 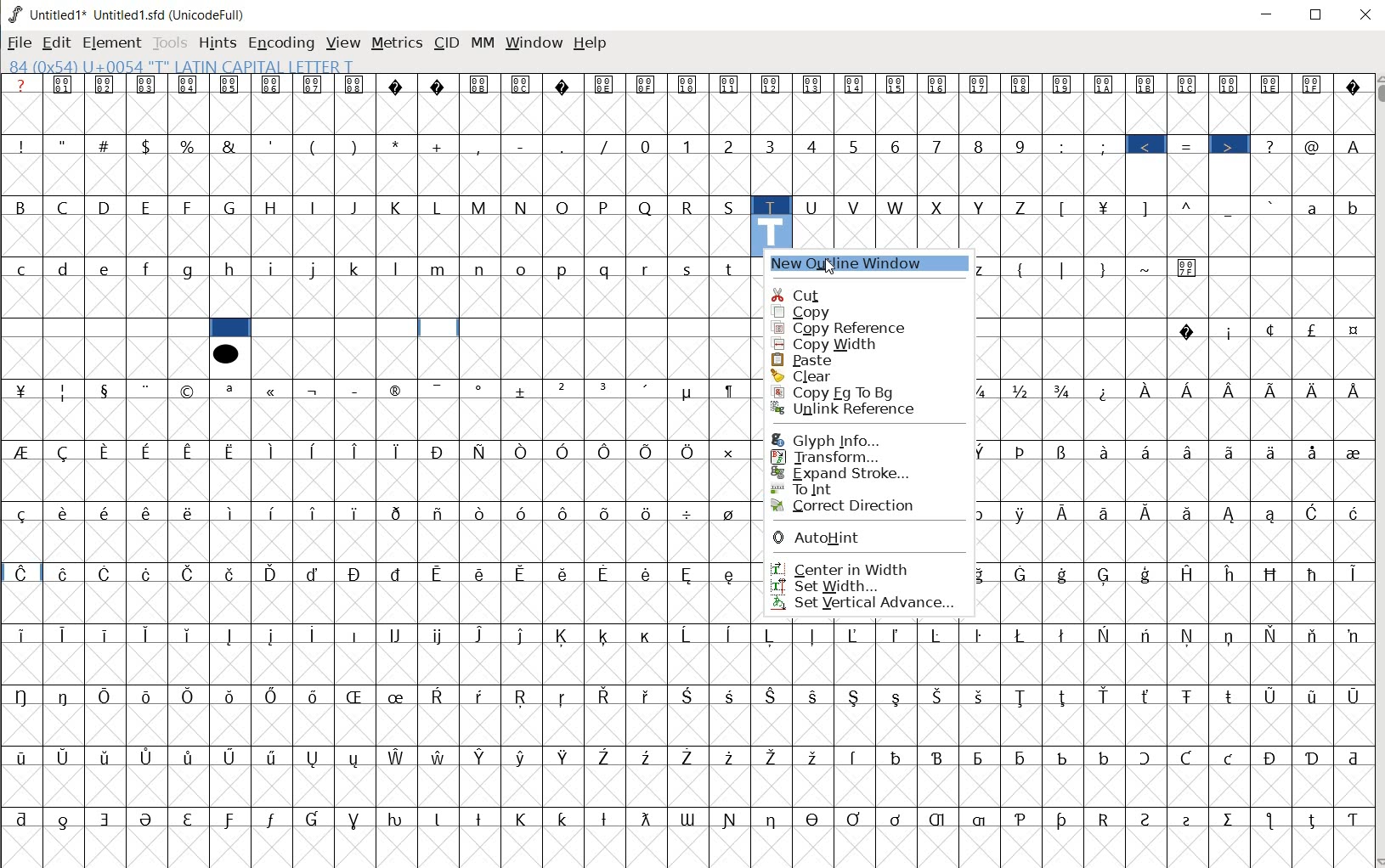 What do you see at coordinates (482, 817) in the screenshot?
I see `Symbol` at bounding box center [482, 817].